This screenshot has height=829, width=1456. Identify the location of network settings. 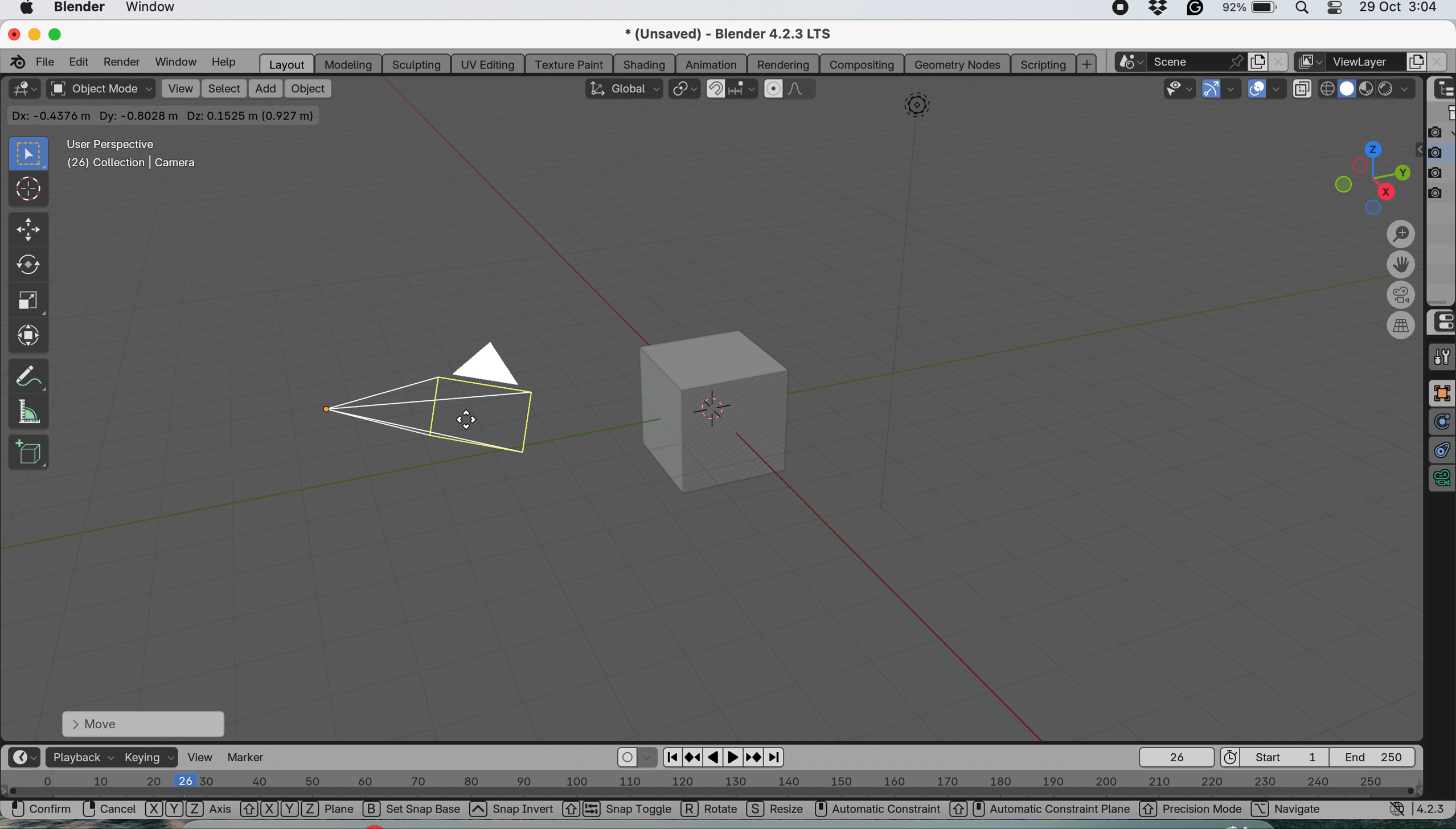
(1397, 811).